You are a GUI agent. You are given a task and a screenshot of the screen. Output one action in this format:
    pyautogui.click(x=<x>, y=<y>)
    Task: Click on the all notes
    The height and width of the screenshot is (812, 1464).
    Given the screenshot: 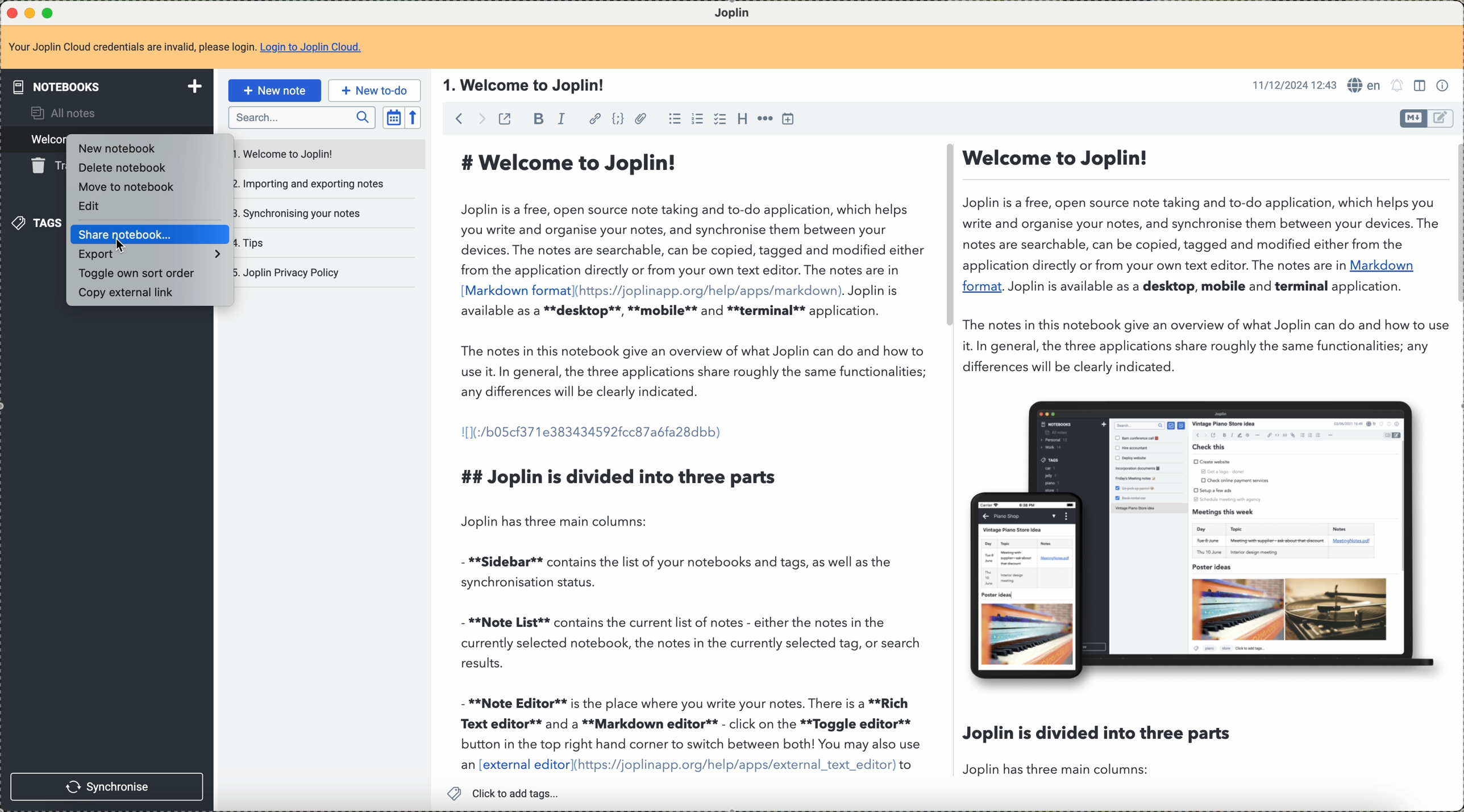 What is the action you would take?
    pyautogui.click(x=62, y=115)
    